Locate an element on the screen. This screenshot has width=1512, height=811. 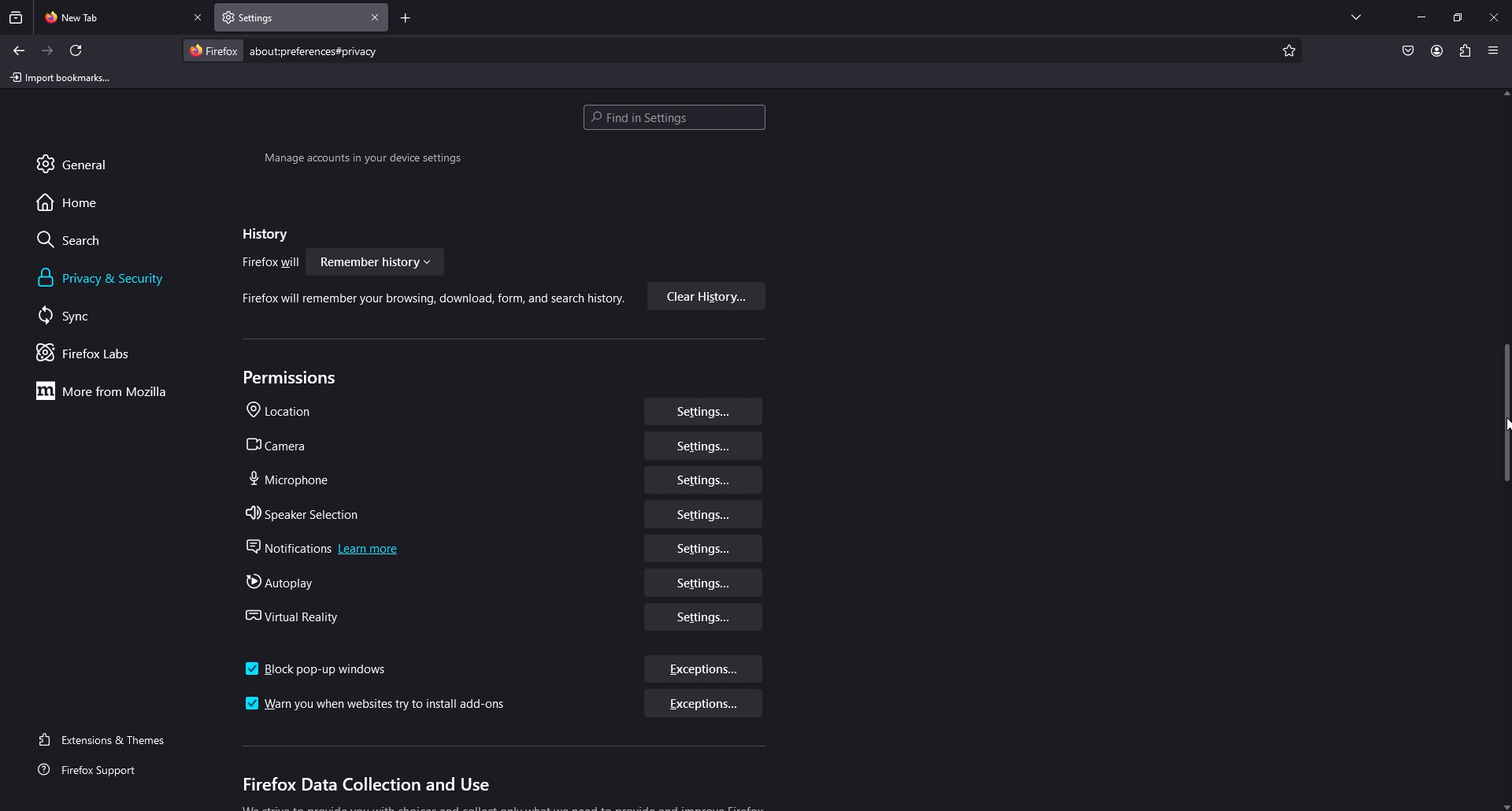
privacy and security is located at coordinates (105, 278).